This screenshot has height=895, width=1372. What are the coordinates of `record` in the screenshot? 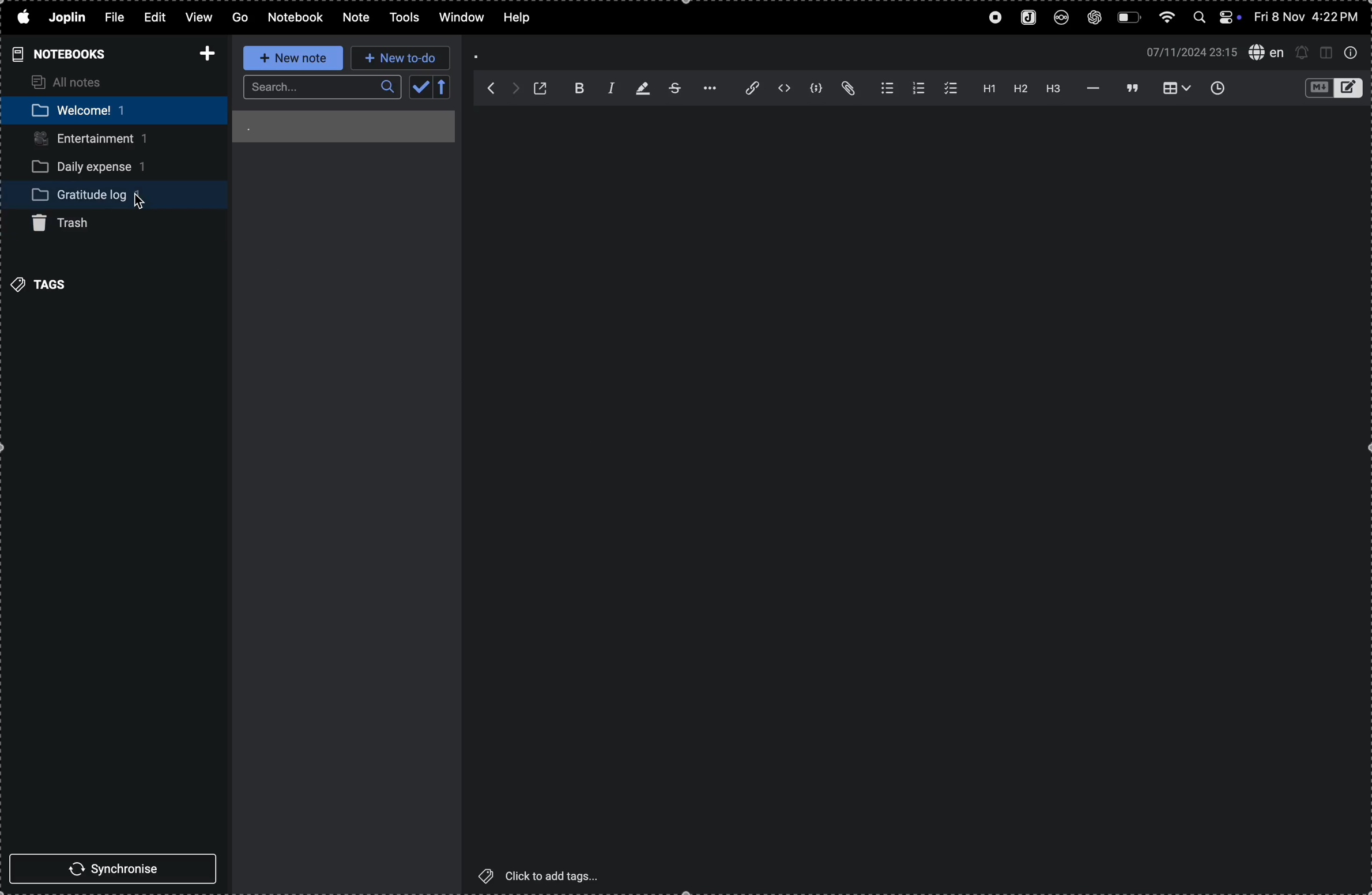 It's located at (996, 17).